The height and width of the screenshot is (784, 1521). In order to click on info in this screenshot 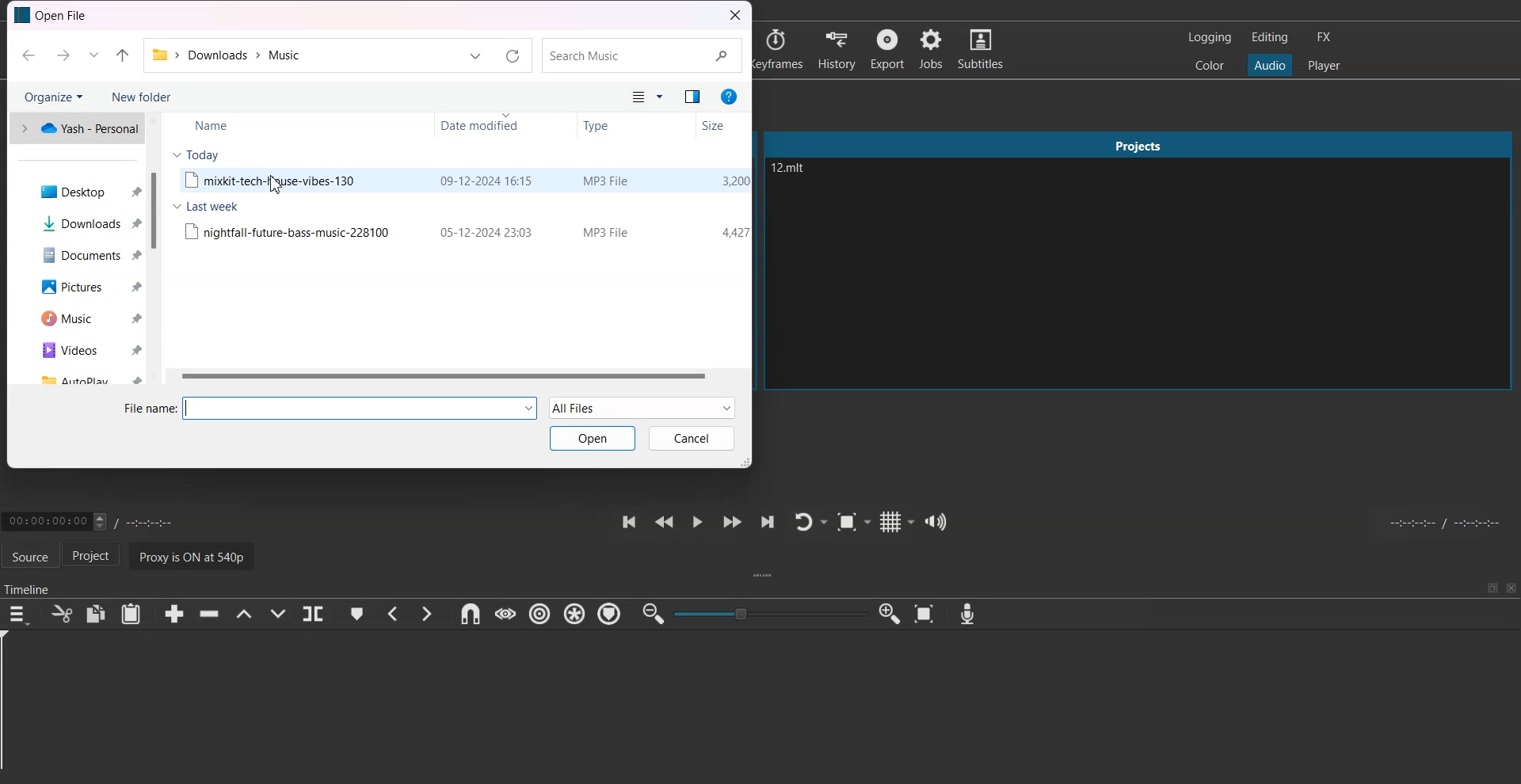, I will do `click(729, 97)`.